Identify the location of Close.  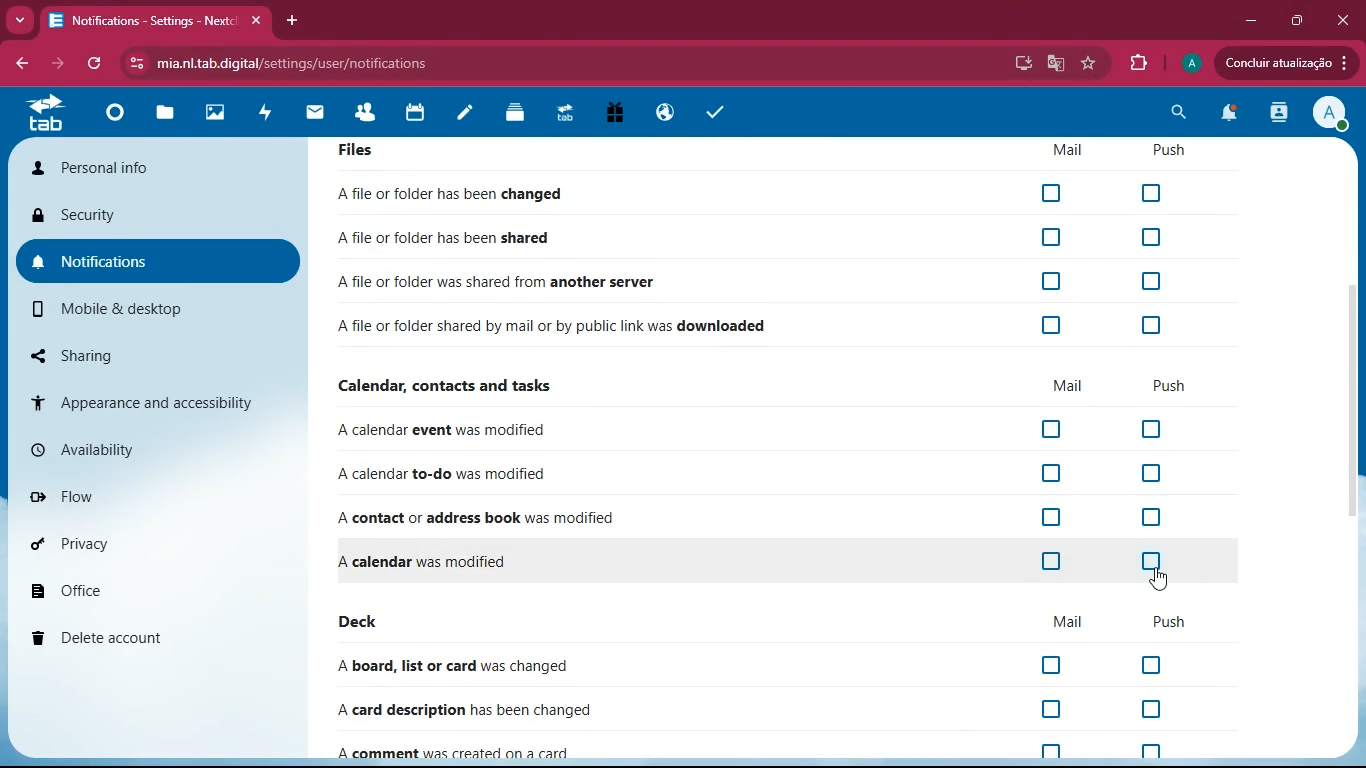
(1344, 19).